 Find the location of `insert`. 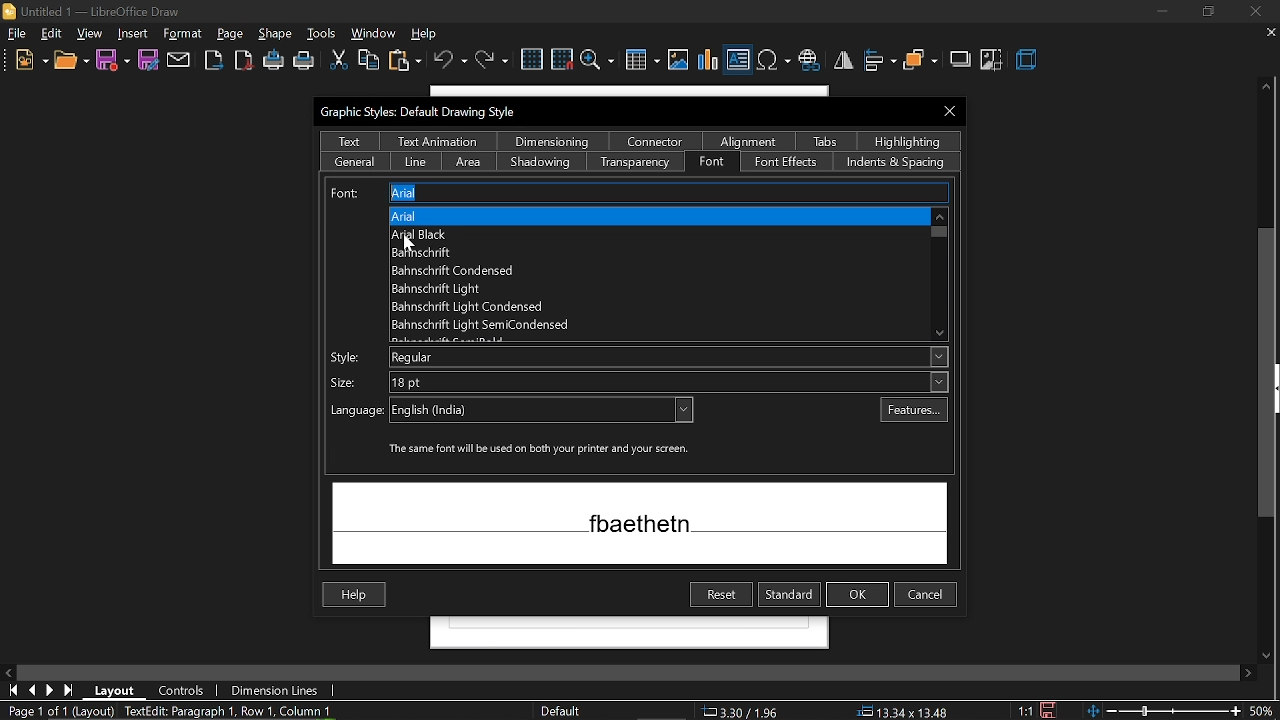

insert is located at coordinates (185, 34).